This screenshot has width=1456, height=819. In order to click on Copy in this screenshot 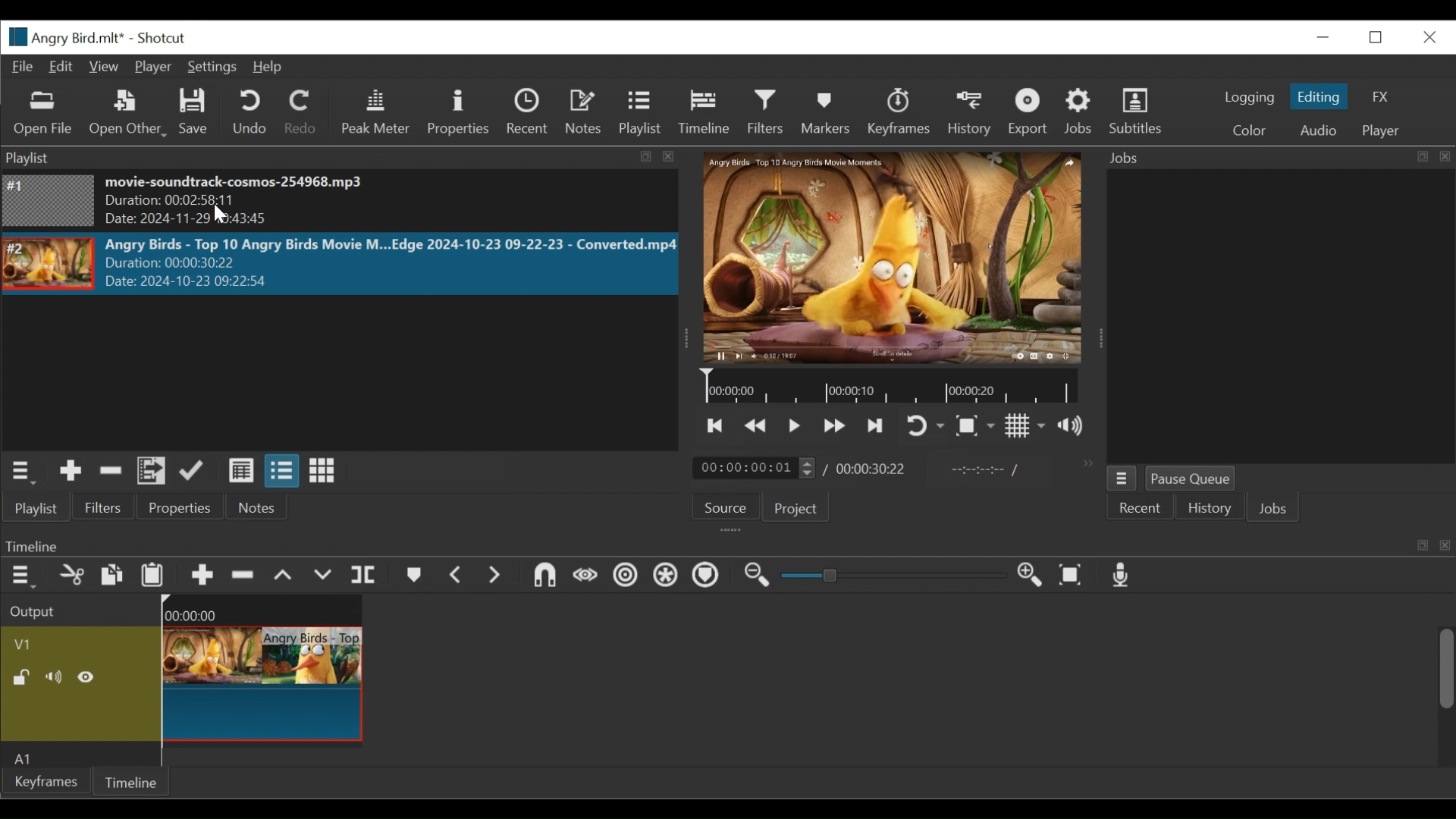, I will do `click(115, 576)`.